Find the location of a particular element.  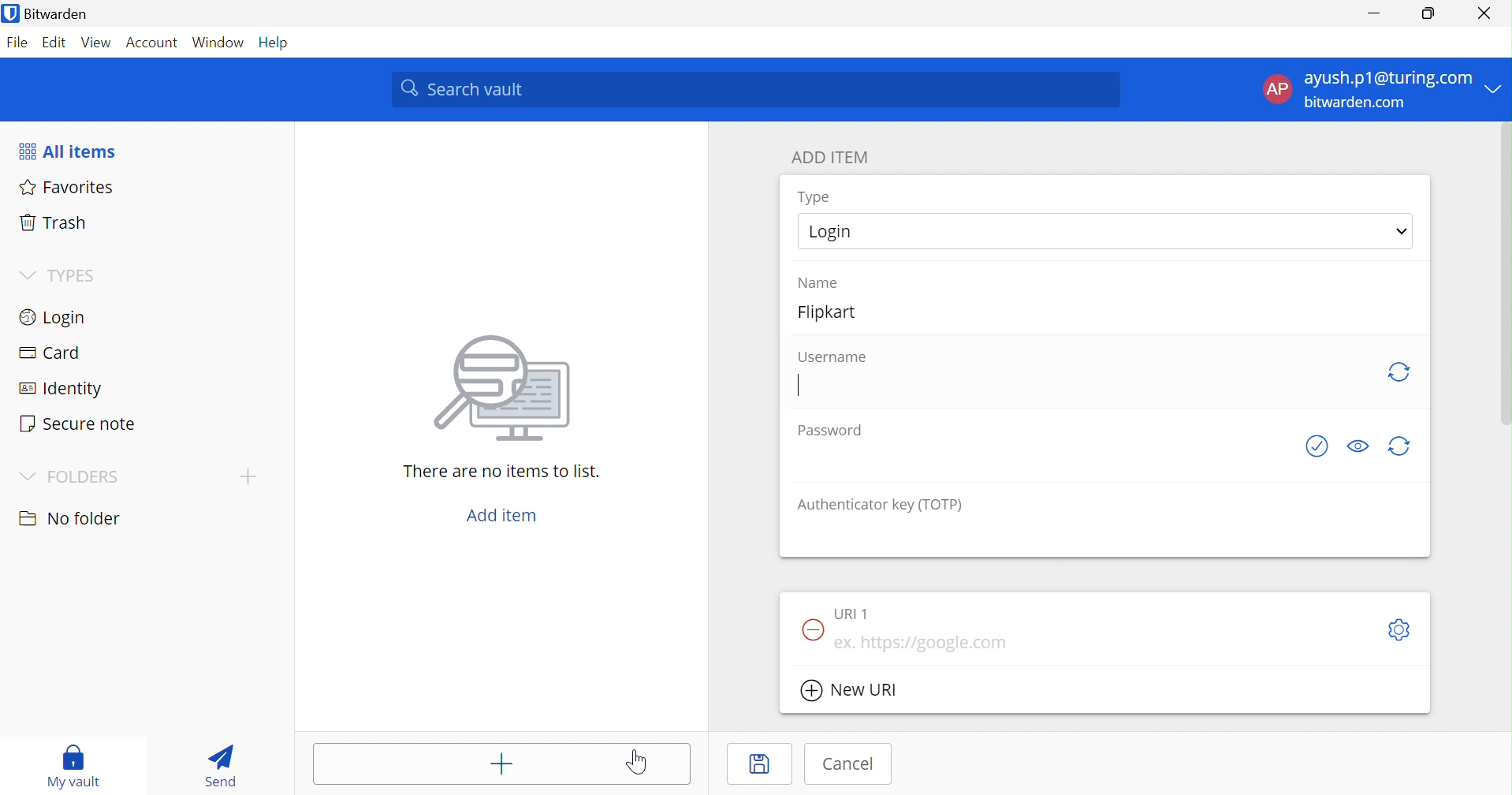

View is located at coordinates (94, 42).